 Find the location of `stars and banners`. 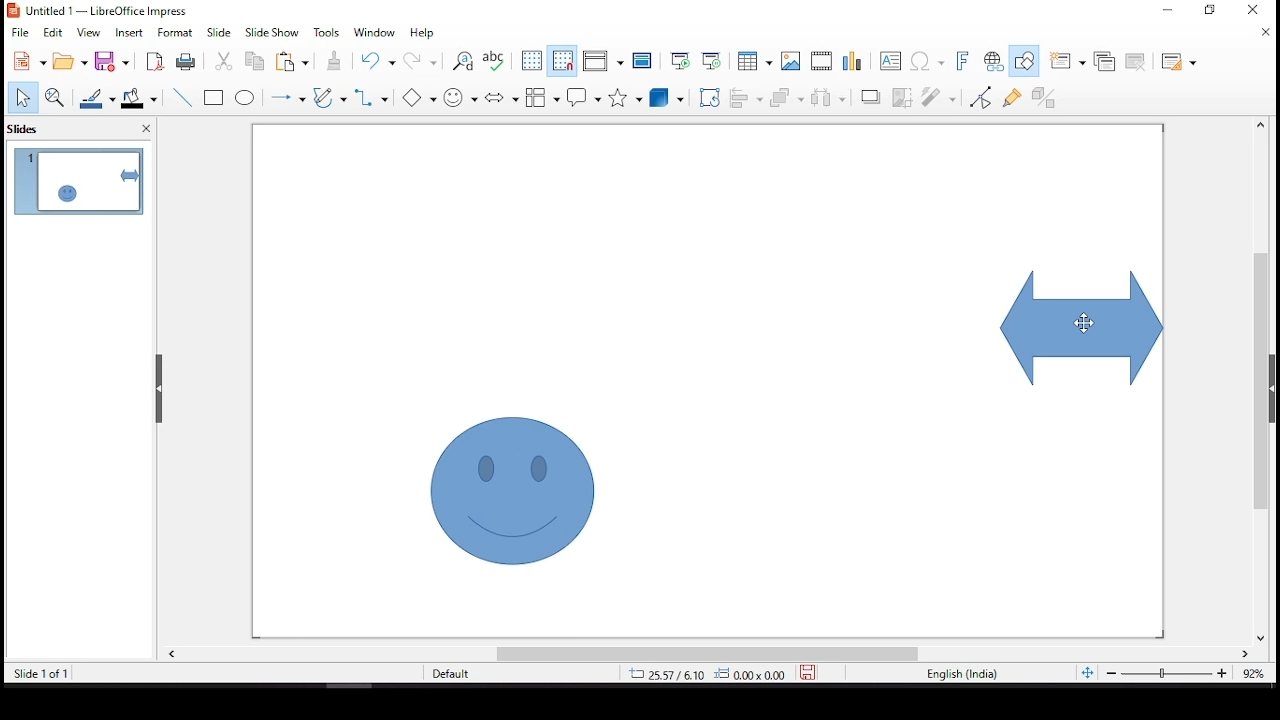

stars and banners is located at coordinates (622, 97).